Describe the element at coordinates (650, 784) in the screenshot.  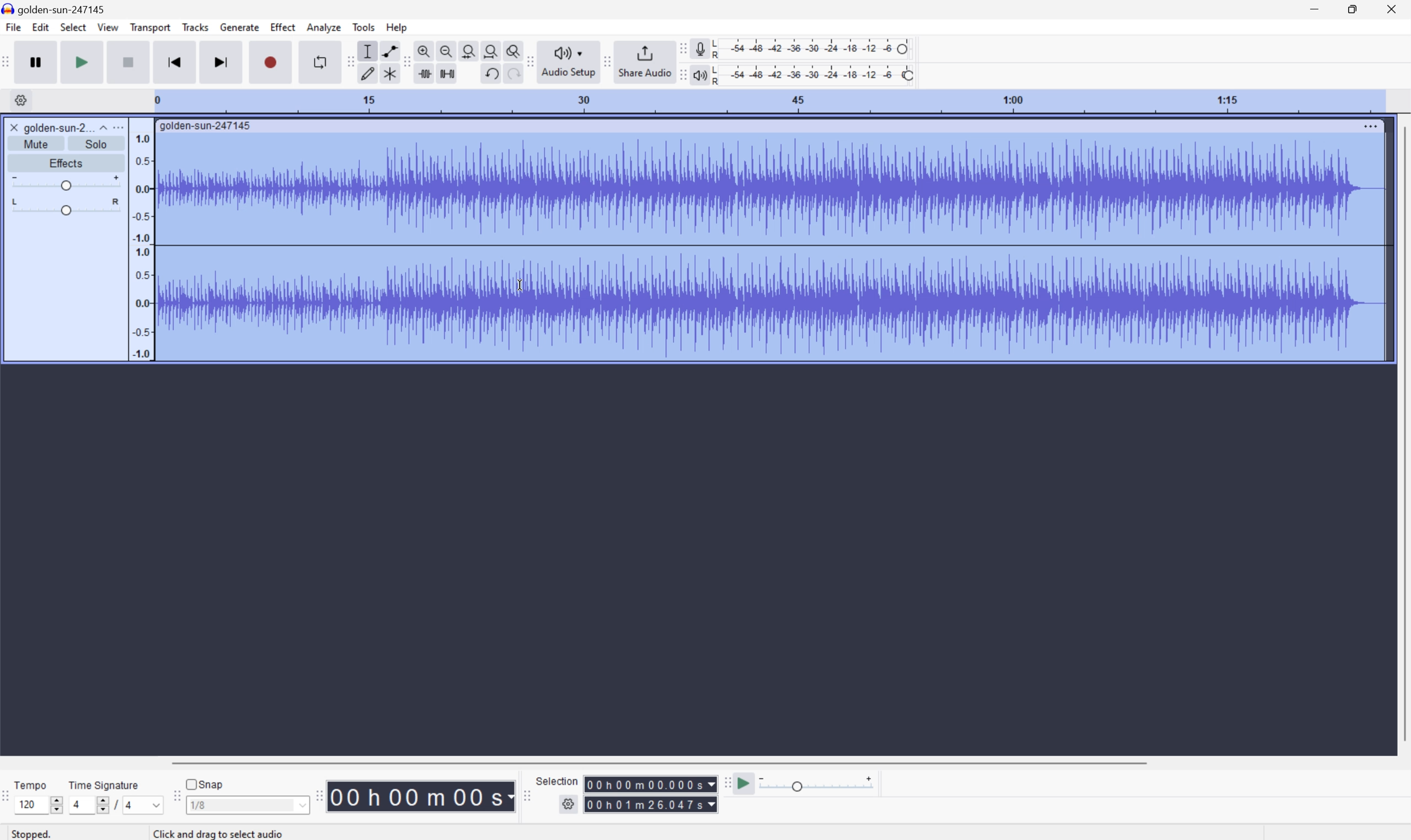
I see `` at that location.